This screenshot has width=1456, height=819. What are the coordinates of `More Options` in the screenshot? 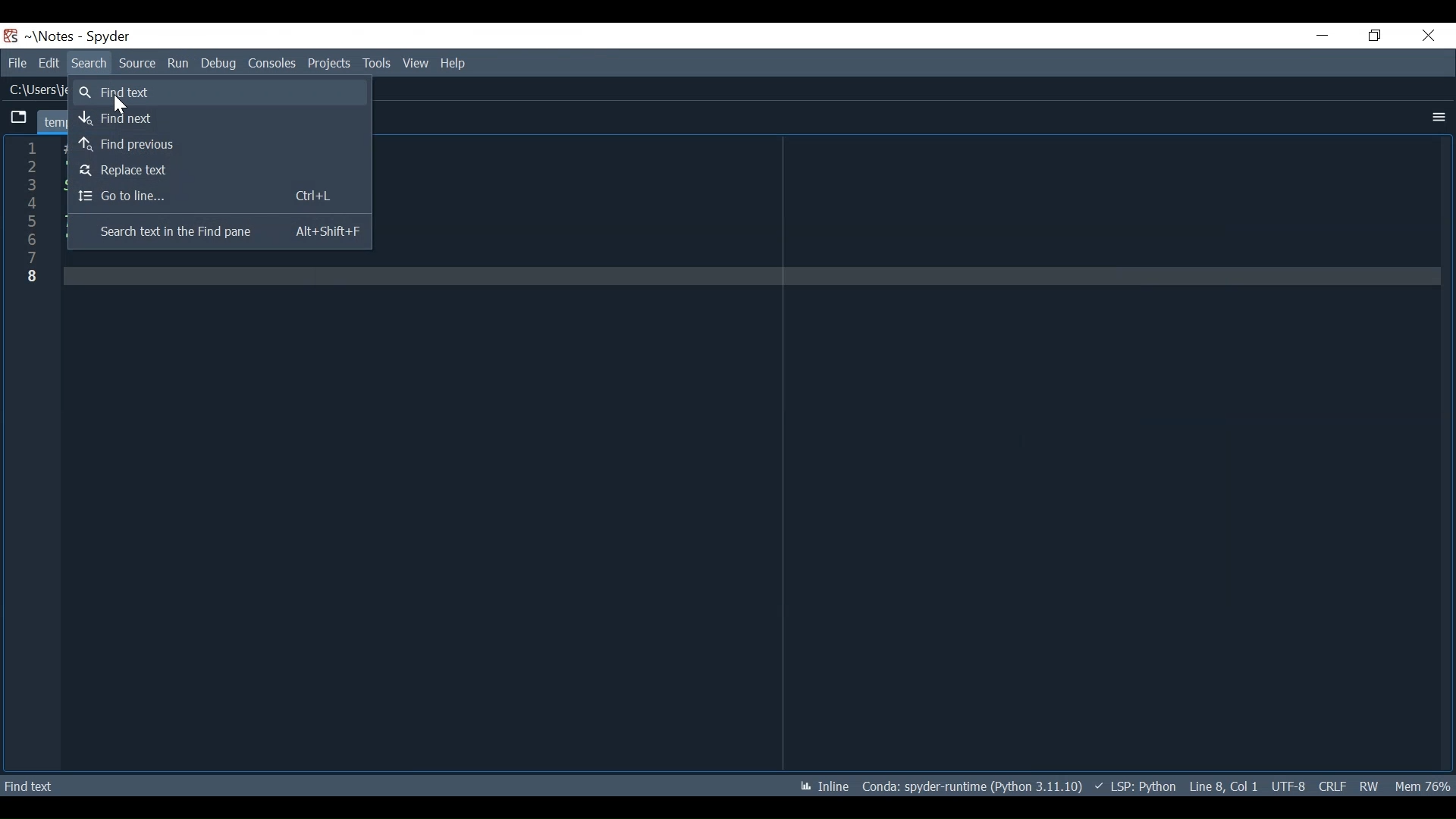 It's located at (1438, 115).